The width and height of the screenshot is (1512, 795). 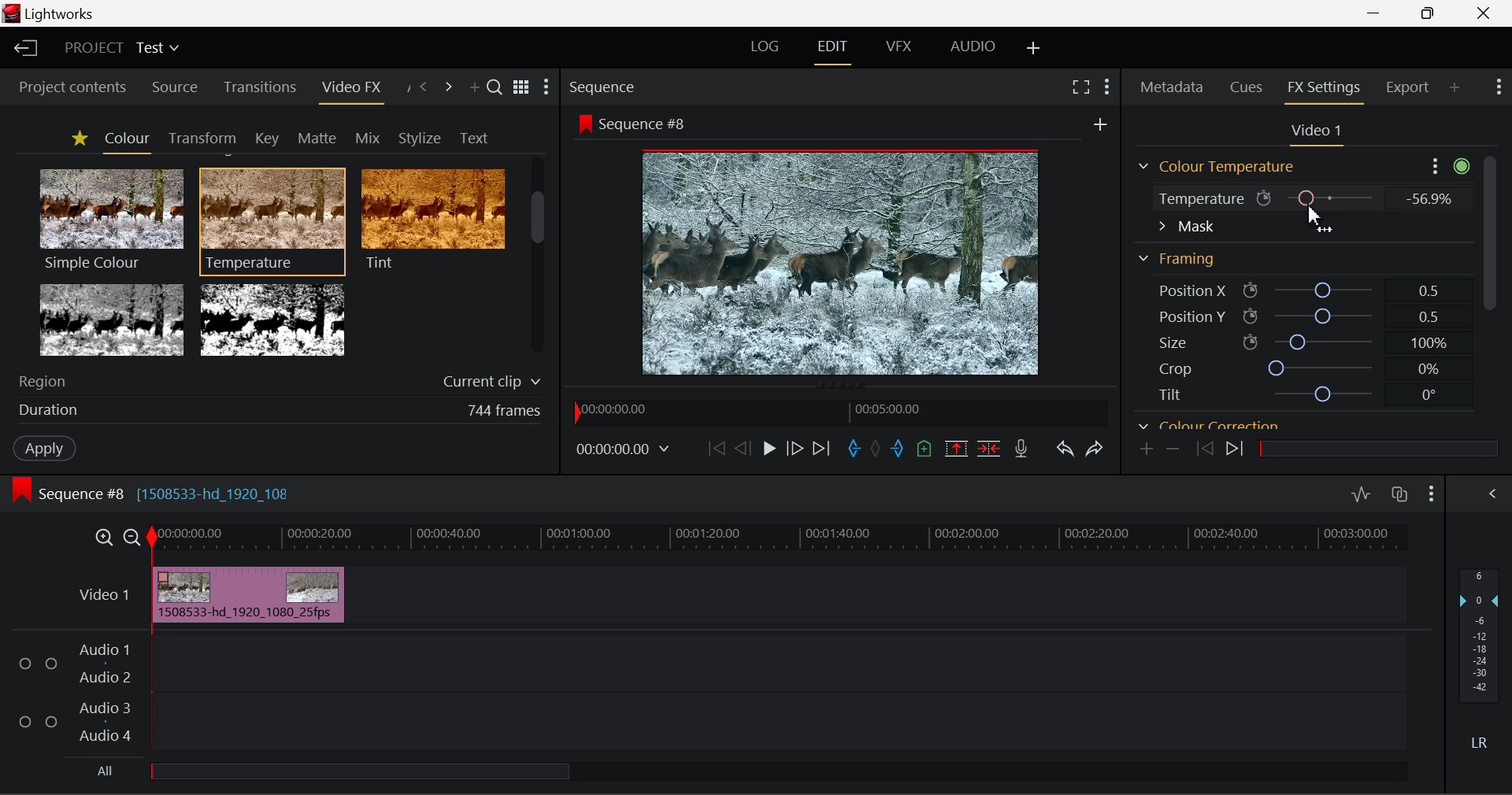 I want to click on Go Forward, so click(x=794, y=449).